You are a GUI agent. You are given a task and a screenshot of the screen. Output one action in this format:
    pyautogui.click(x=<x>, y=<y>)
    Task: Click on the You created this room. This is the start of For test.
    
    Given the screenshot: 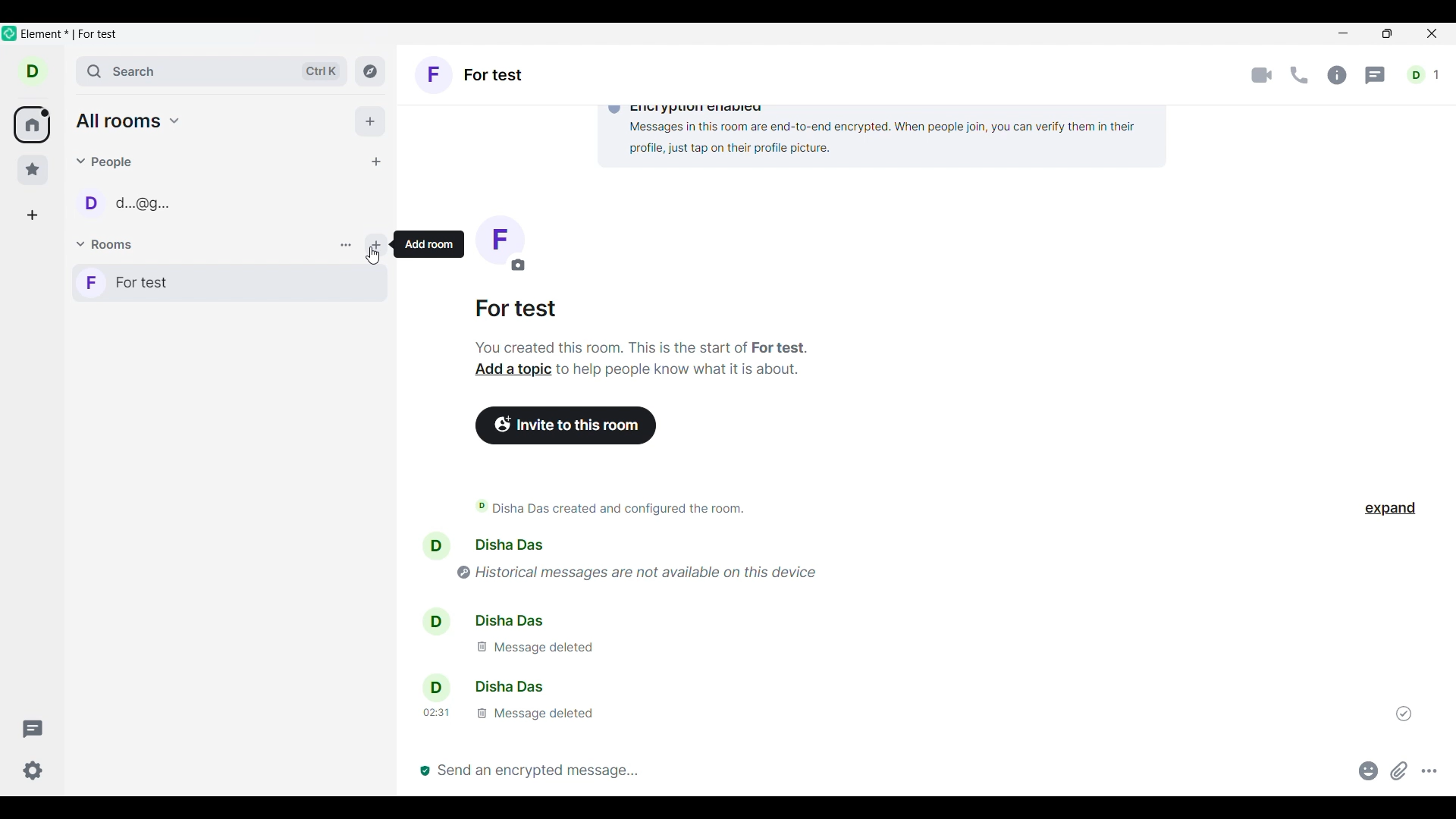 What is the action you would take?
    pyautogui.click(x=648, y=347)
    